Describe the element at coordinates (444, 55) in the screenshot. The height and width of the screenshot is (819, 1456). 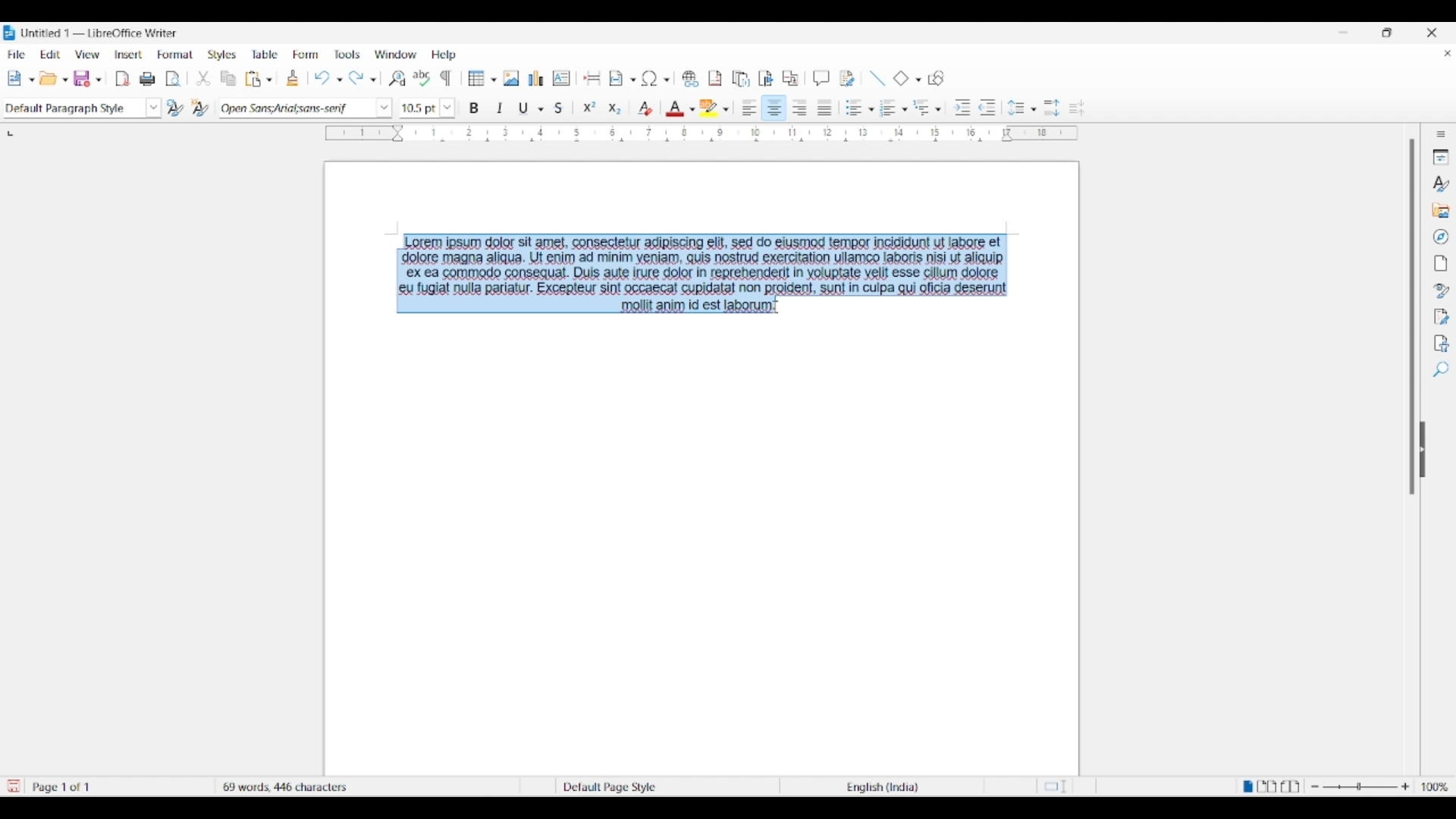
I see `Help` at that location.